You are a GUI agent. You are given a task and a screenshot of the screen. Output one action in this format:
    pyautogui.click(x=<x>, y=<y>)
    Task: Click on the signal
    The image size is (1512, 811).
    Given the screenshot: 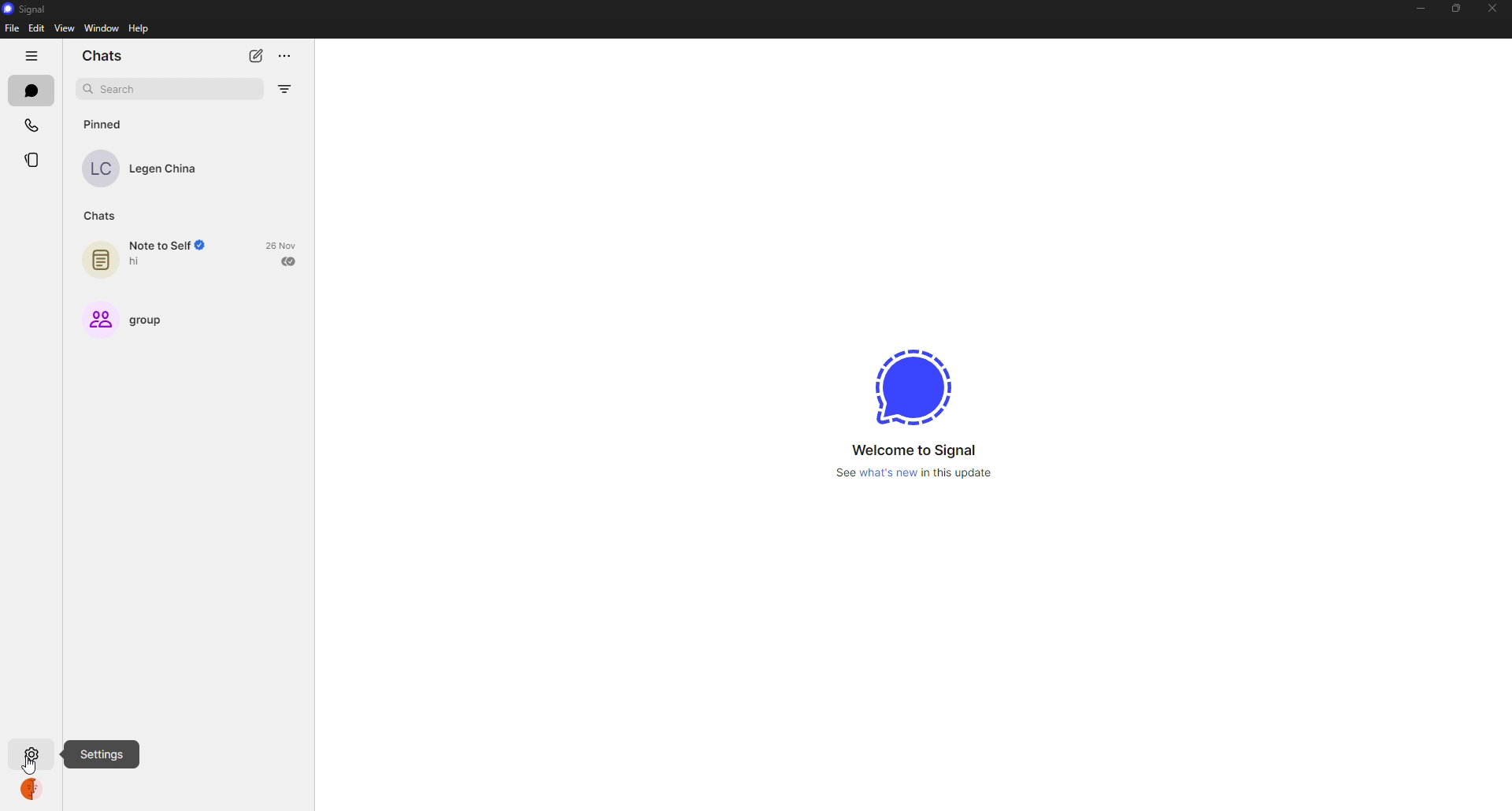 What is the action you would take?
    pyautogui.click(x=29, y=9)
    